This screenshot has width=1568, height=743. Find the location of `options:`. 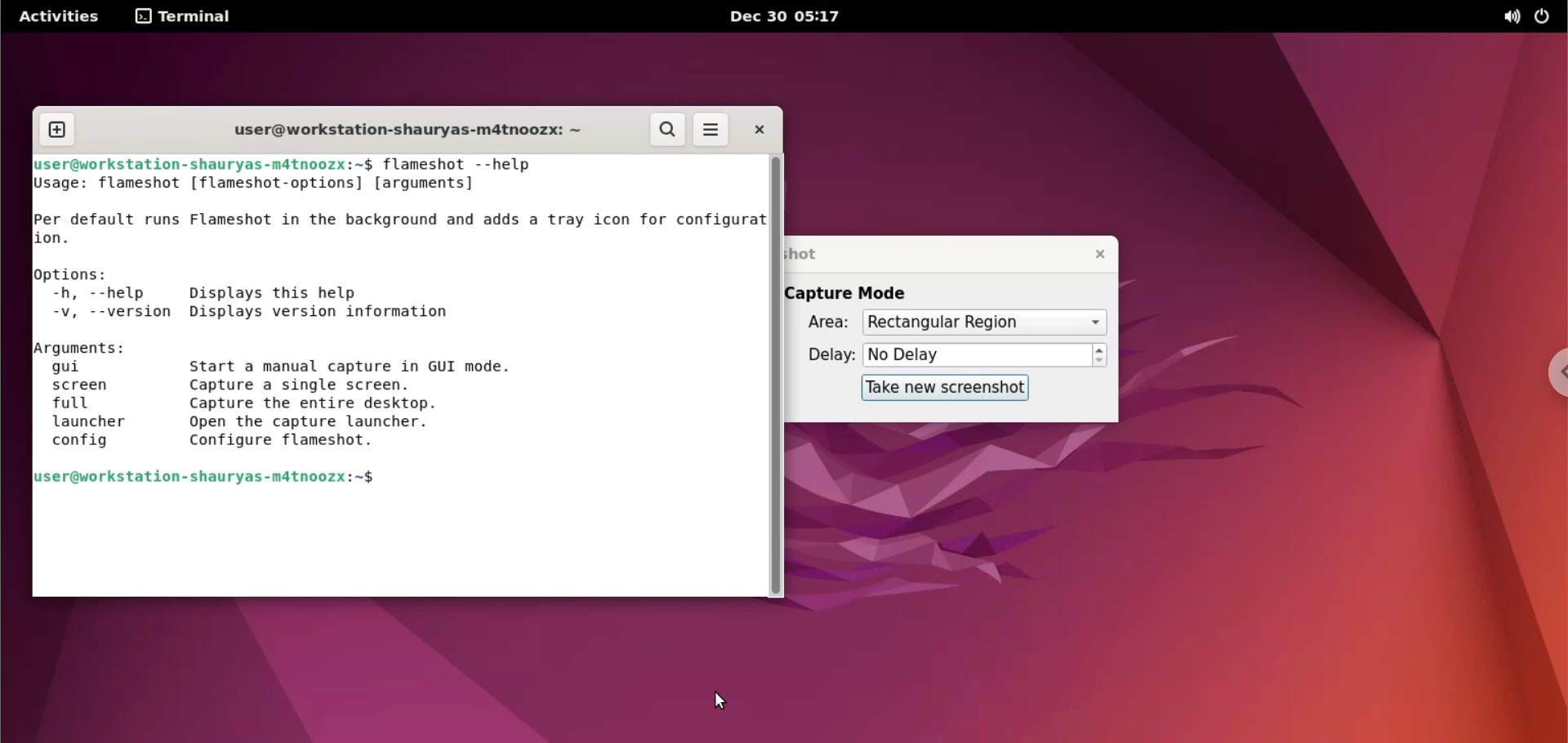

options: is located at coordinates (76, 275).